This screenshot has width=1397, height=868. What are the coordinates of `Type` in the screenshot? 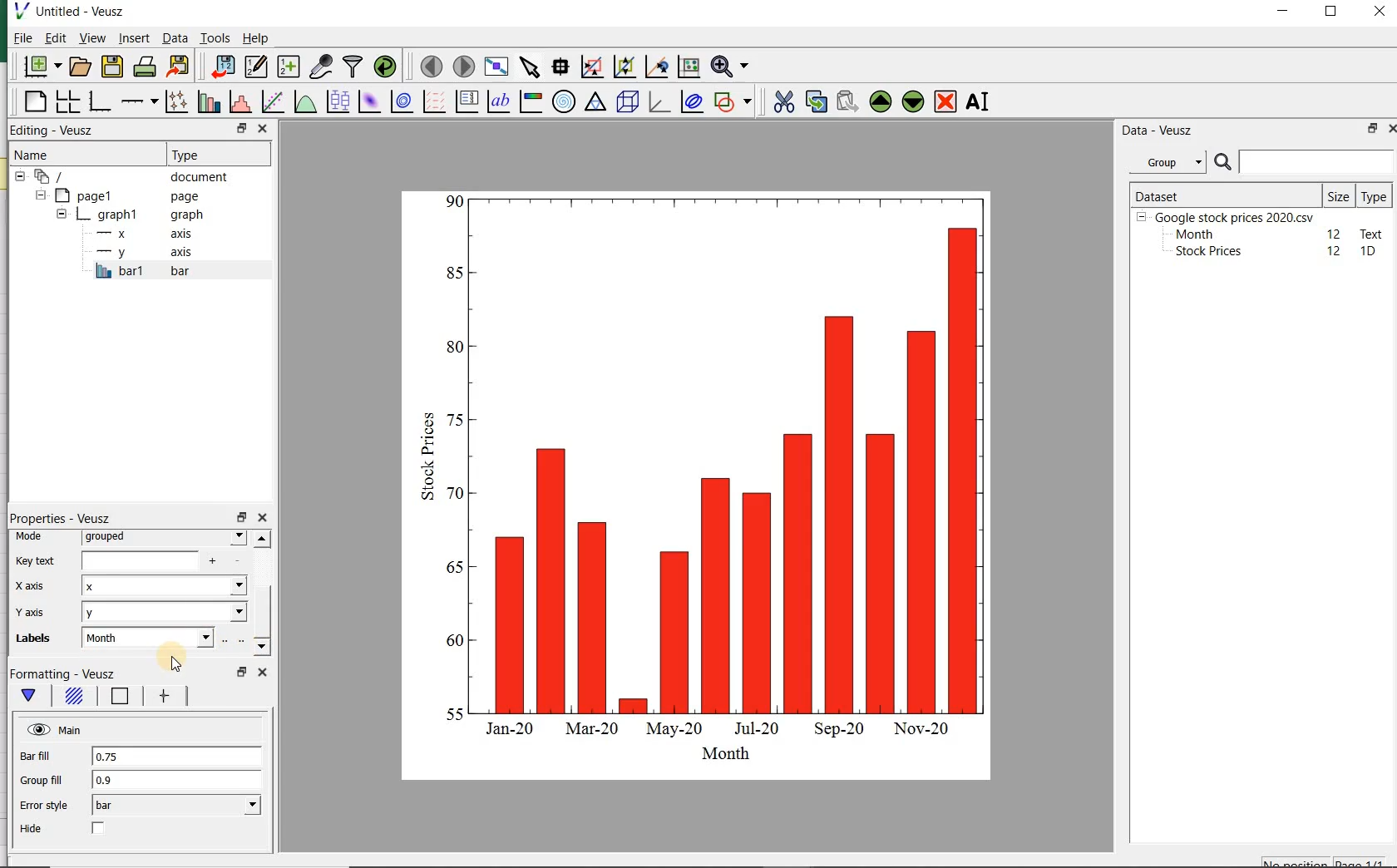 It's located at (1374, 195).